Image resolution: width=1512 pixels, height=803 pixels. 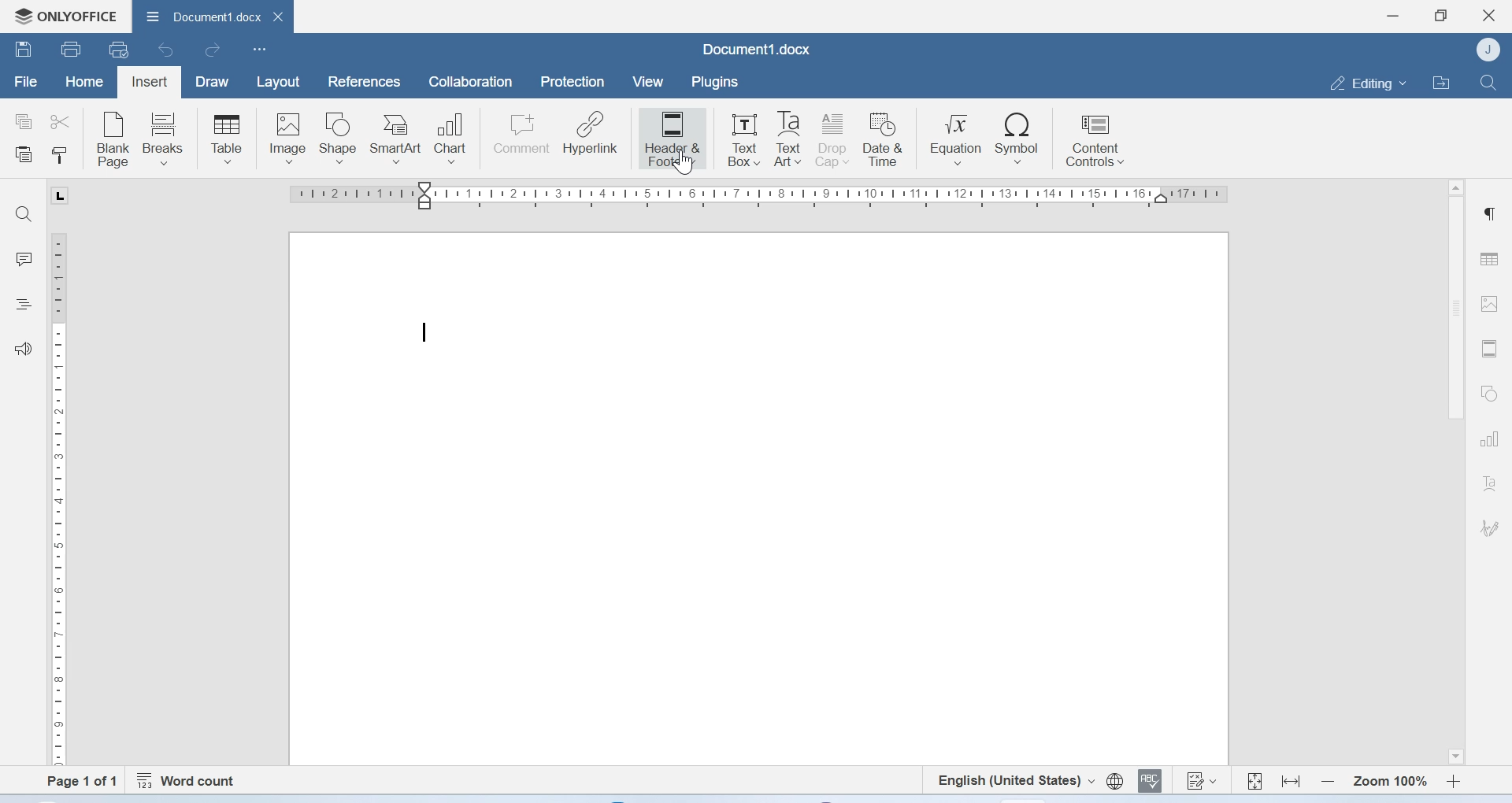 I want to click on Hyperlink, so click(x=591, y=135).